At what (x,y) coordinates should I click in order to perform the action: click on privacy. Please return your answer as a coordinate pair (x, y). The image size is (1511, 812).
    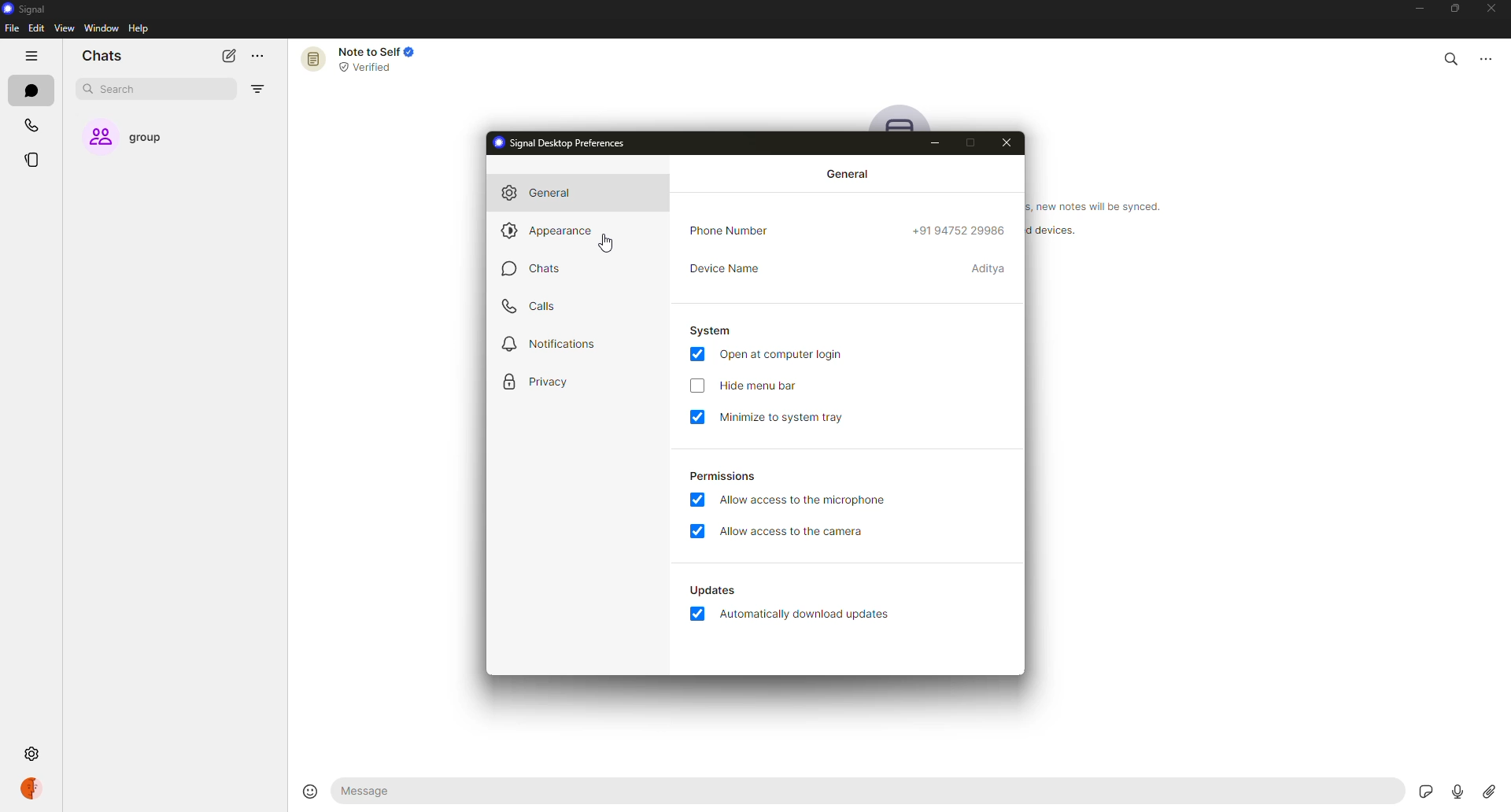
    Looking at the image, I should click on (539, 382).